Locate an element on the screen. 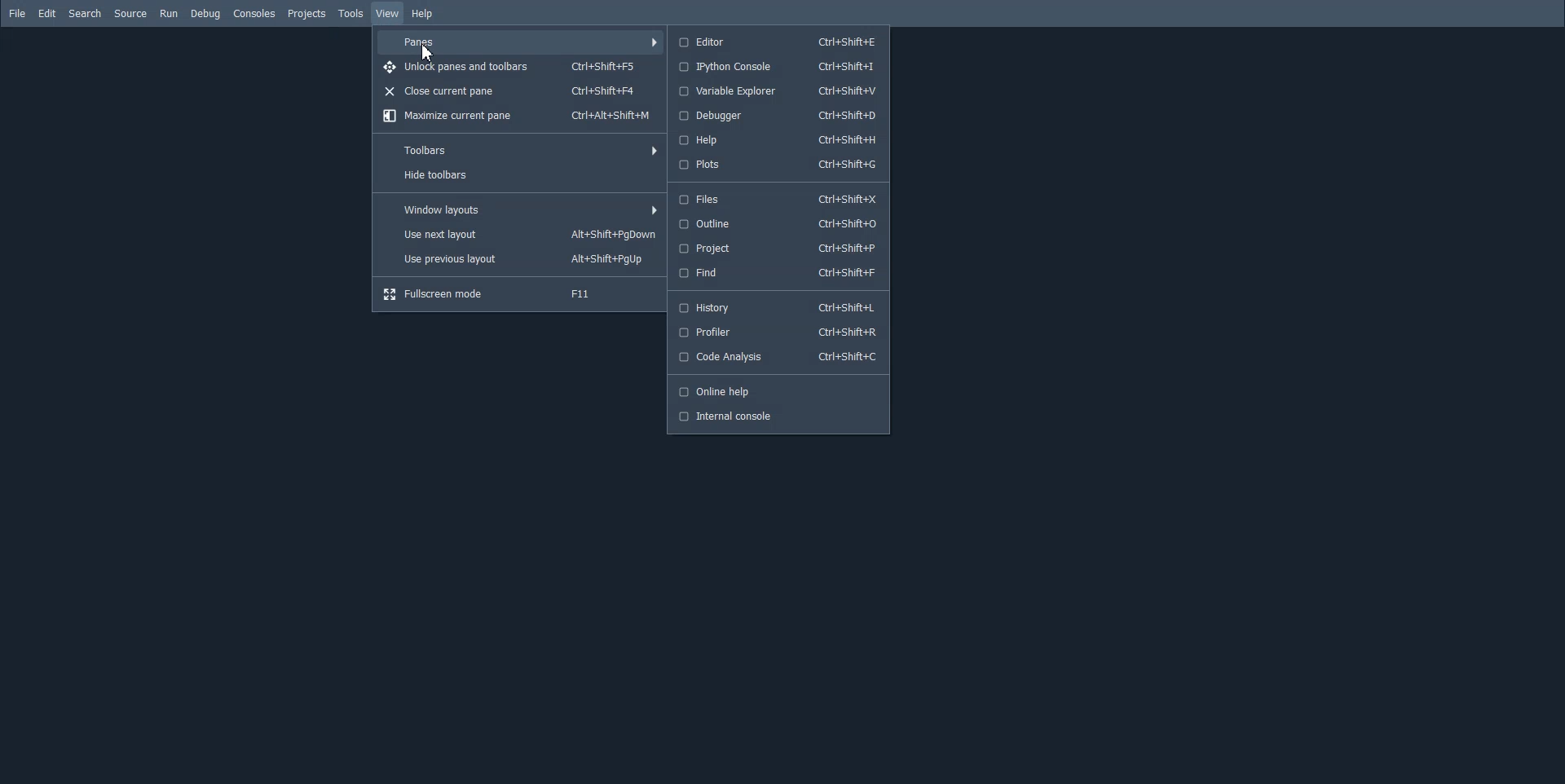 This screenshot has height=784, width=1565. Toolbars is located at coordinates (521, 148).